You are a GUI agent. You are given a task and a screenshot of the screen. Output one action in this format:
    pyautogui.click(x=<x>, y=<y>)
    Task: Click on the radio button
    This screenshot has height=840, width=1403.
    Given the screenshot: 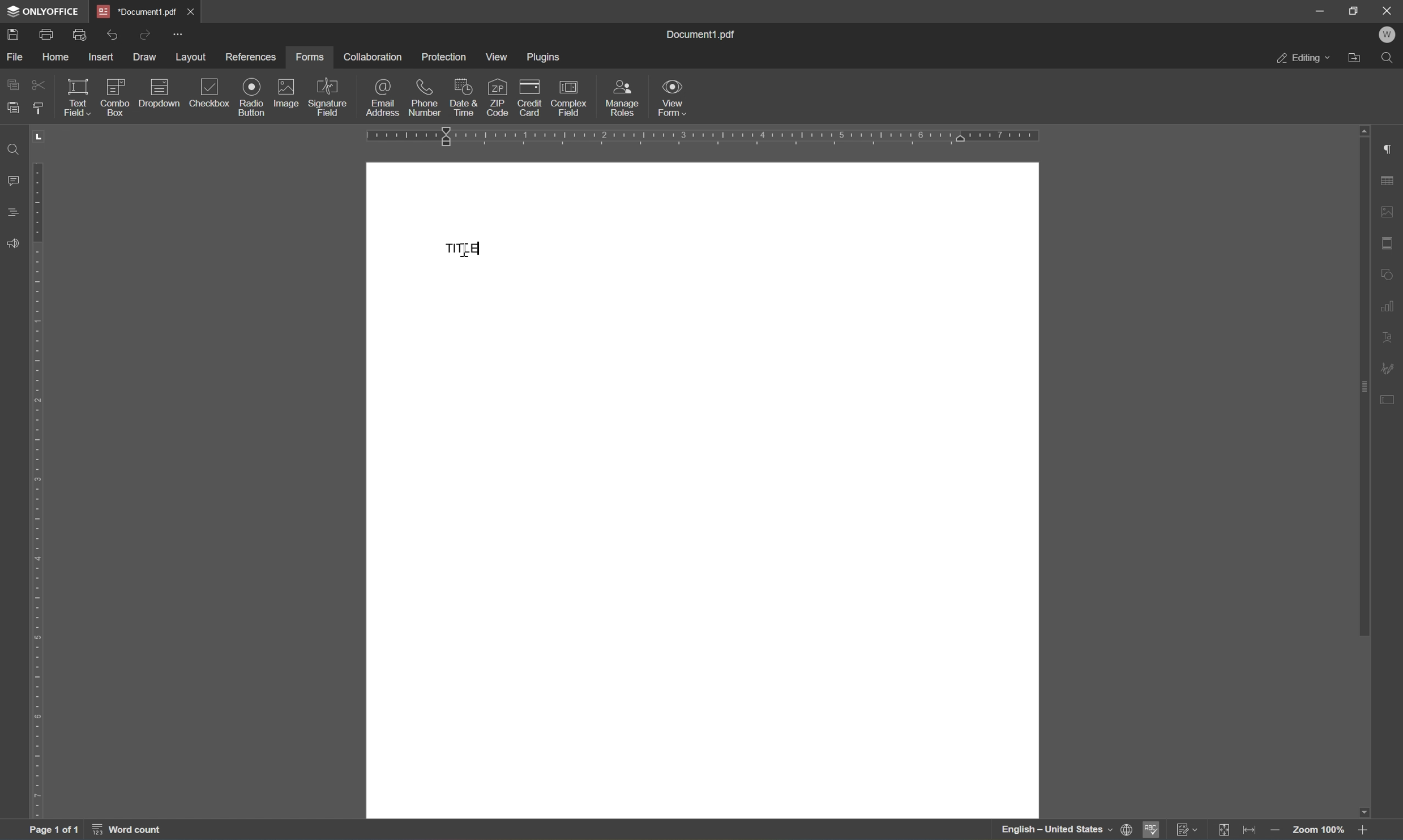 What is the action you would take?
    pyautogui.click(x=249, y=96)
    